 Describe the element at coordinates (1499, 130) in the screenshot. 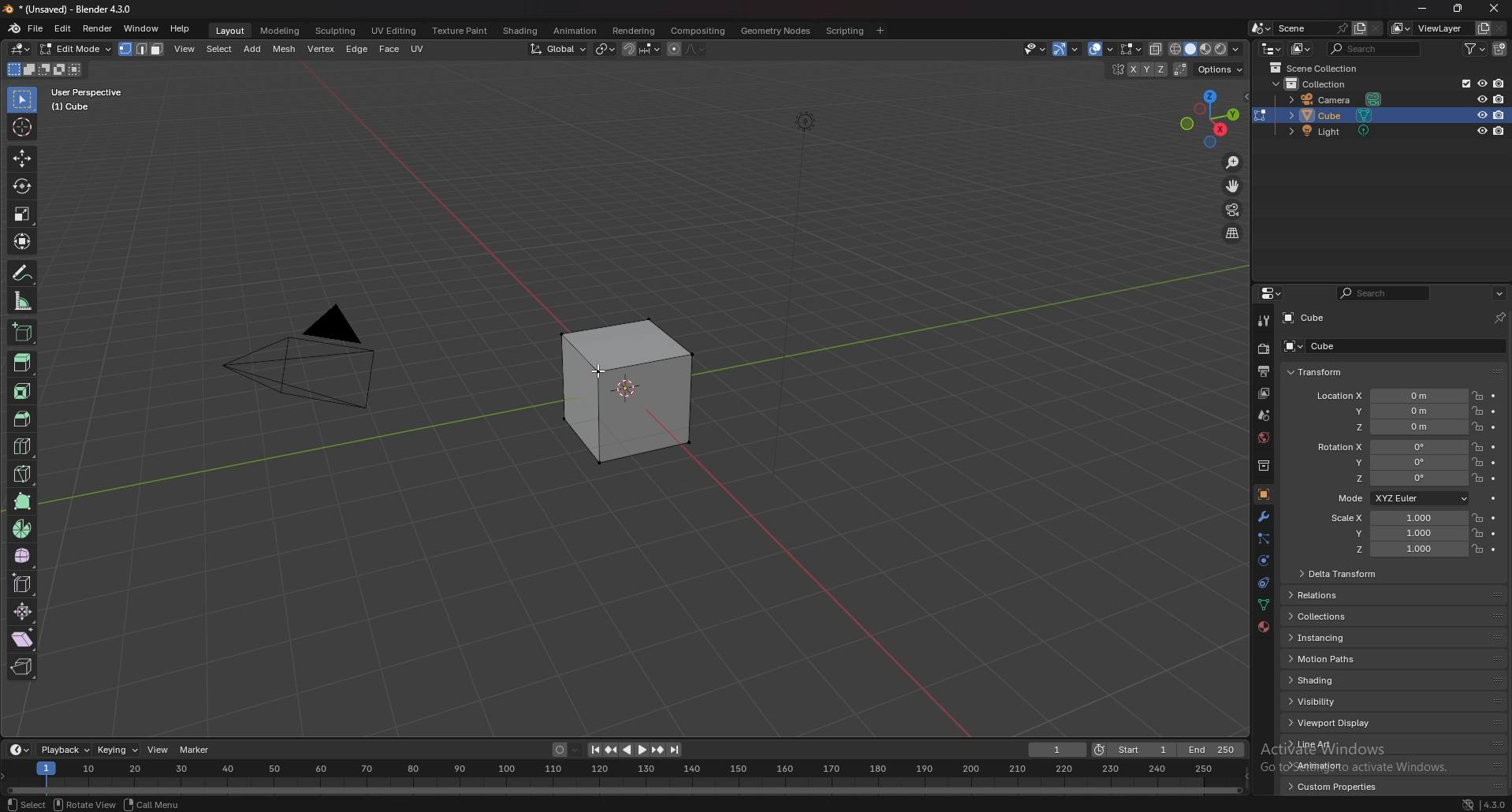

I see `disable in renders` at that location.